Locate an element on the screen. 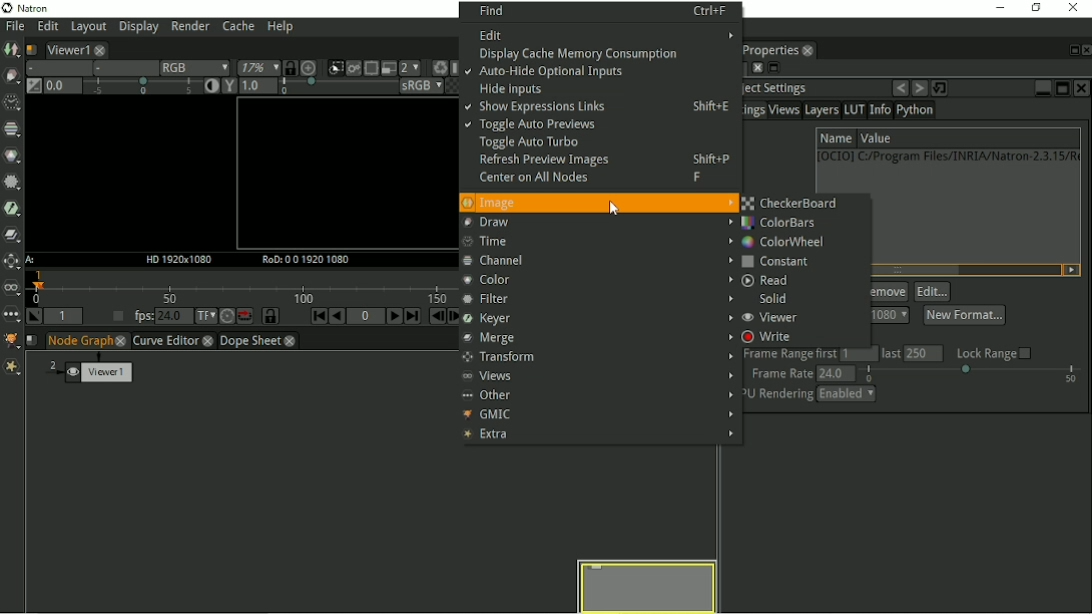  Float pane is located at coordinates (1070, 50).